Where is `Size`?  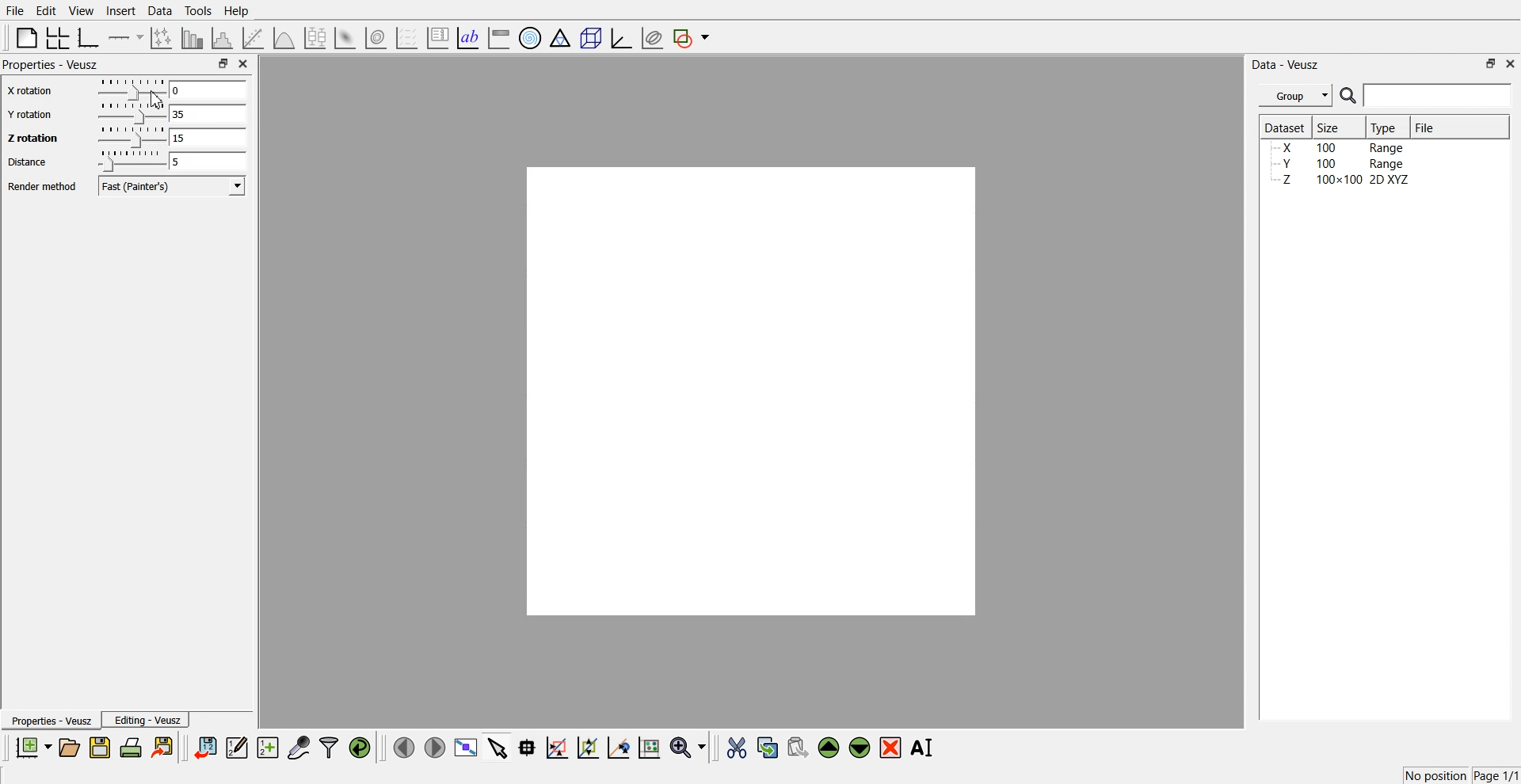 Size is located at coordinates (1331, 127).